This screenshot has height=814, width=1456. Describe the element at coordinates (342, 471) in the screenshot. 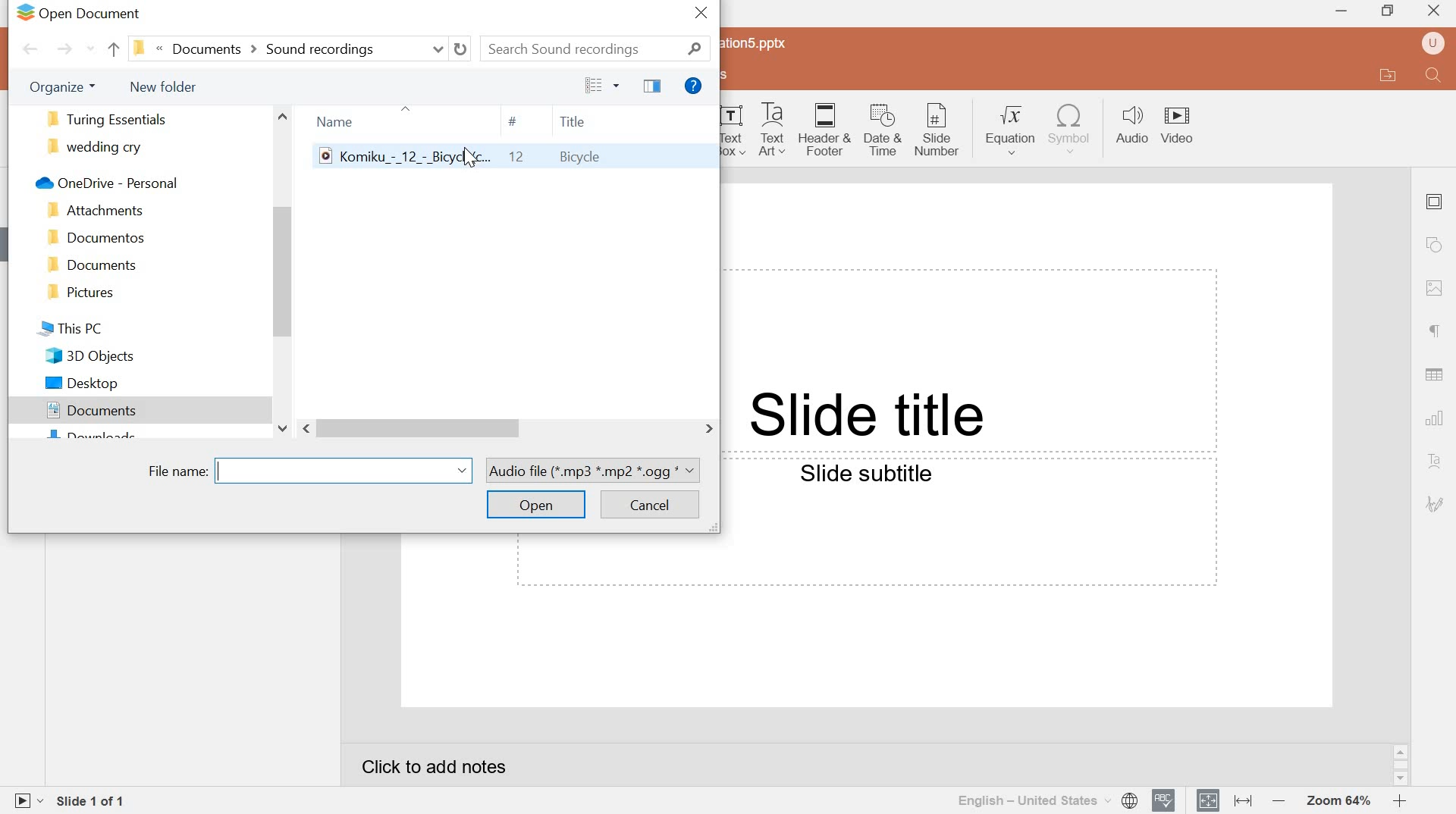

I see `name bar` at that location.